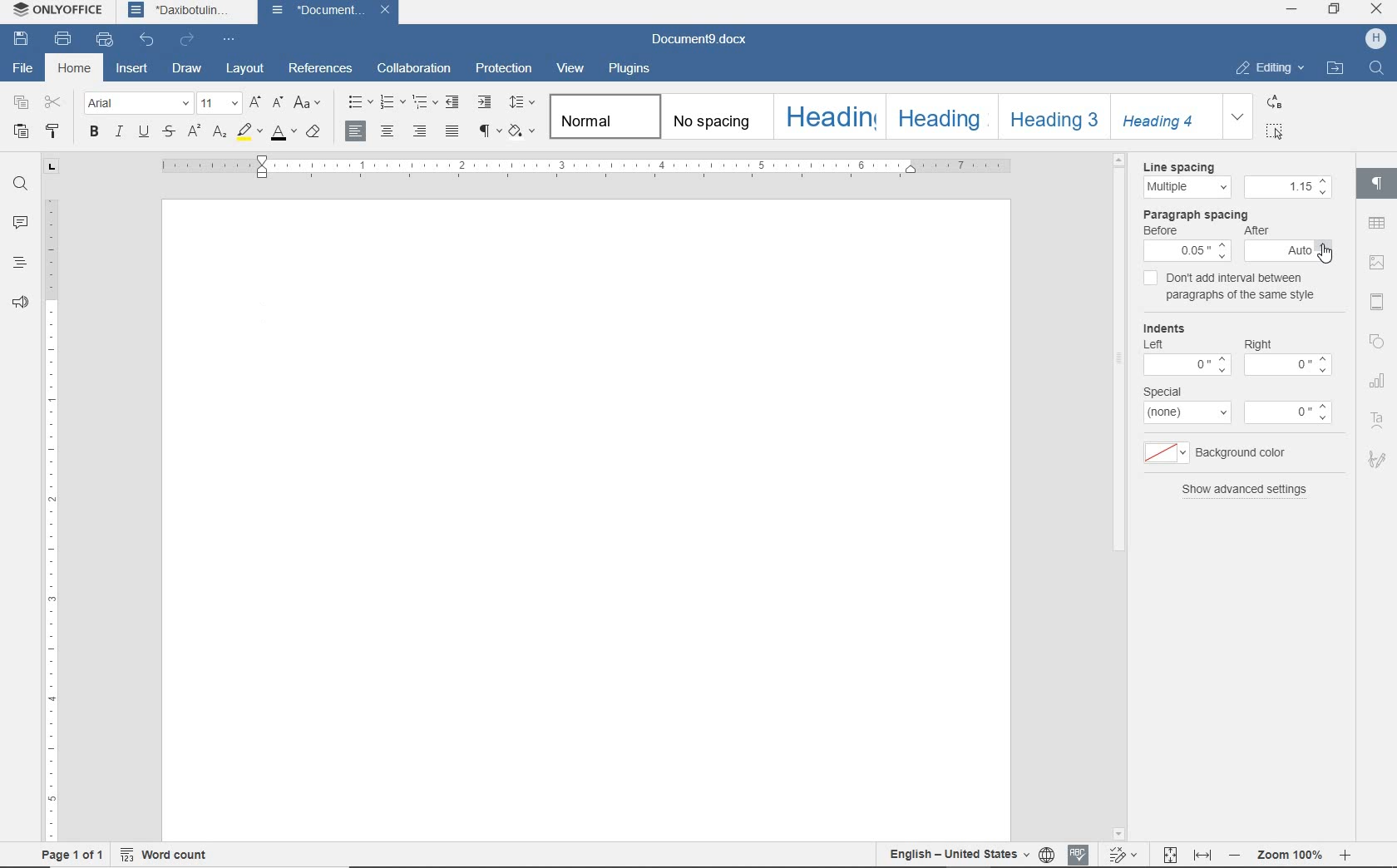 The image size is (1397, 868). Describe the element at coordinates (1288, 413) in the screenshot. I see `value` at that location.